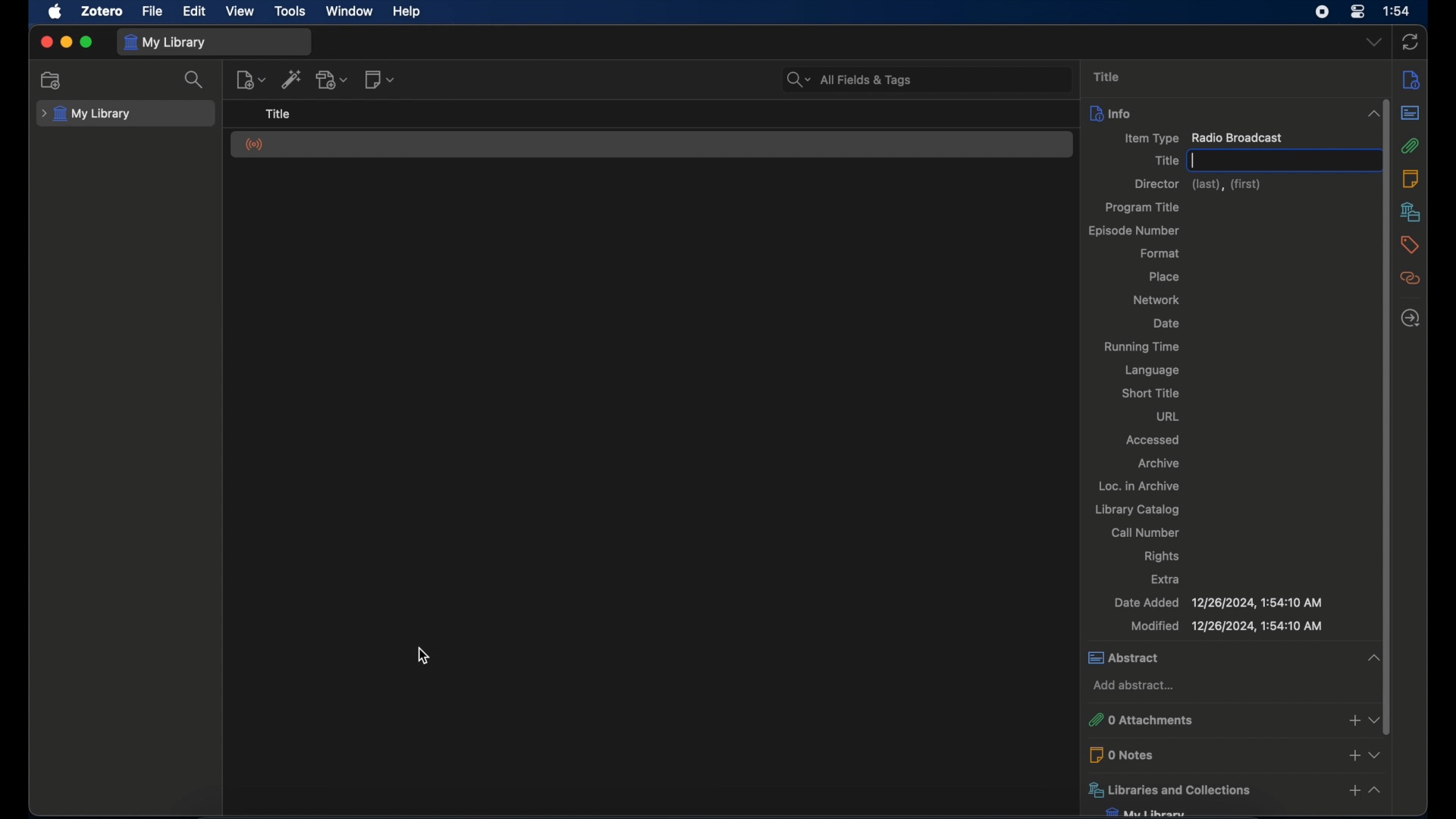  Describe the element at coordinates (1234, 790) in the screenshot. I see `libraries and collections` at that location.